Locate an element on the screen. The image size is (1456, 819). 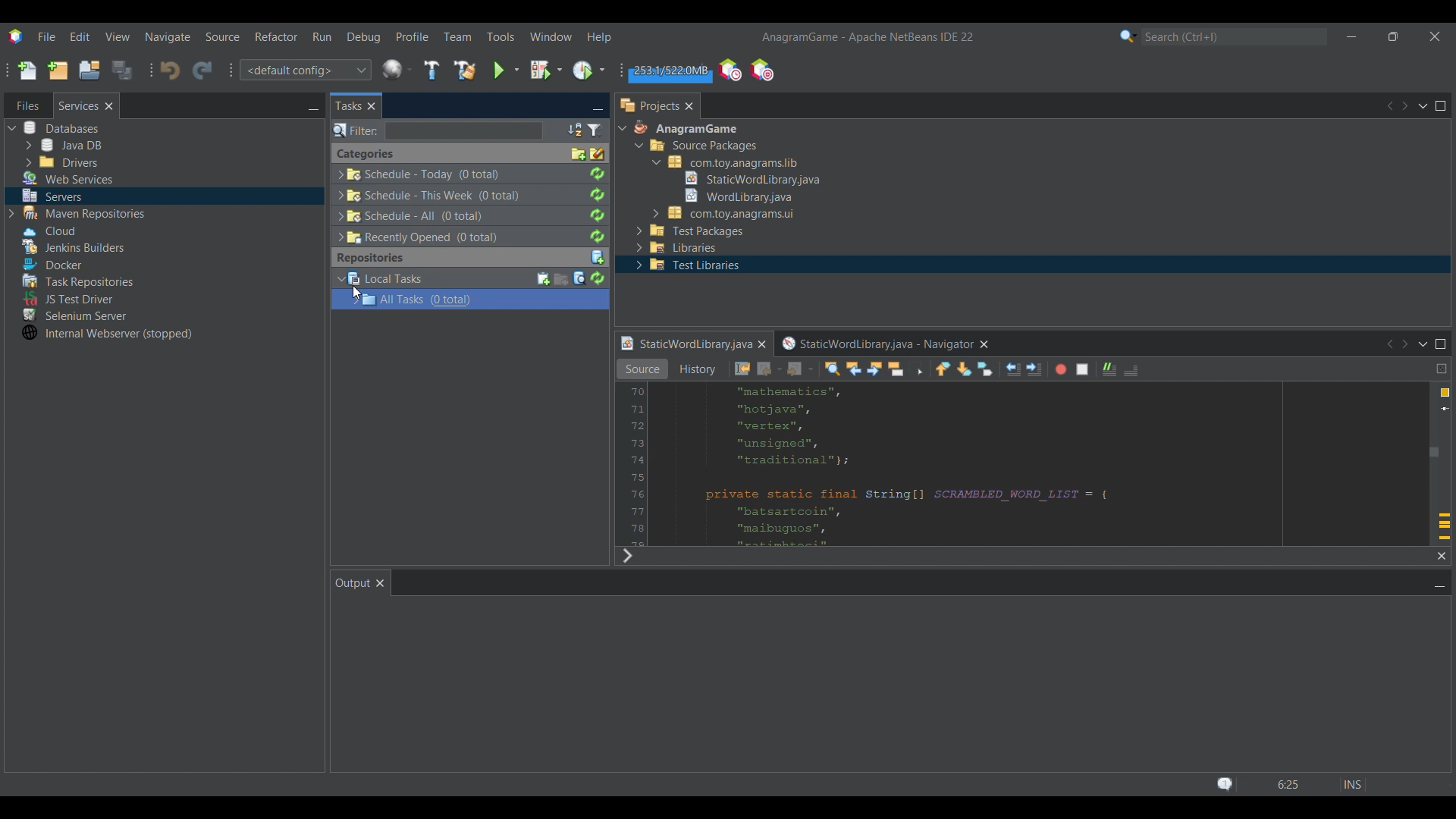
 is located at coordinates (63, 129).